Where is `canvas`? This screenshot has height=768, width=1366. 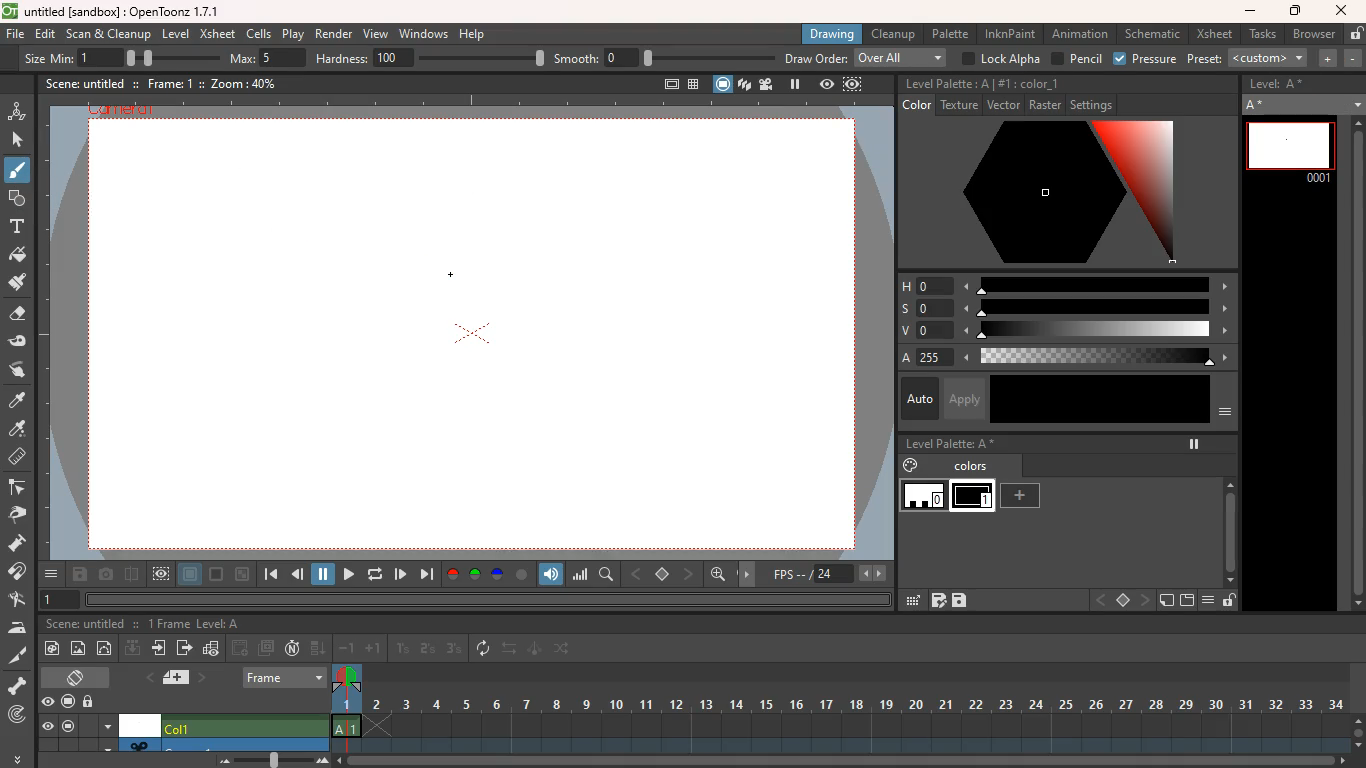 canvas is located at coordinates (475, 336).